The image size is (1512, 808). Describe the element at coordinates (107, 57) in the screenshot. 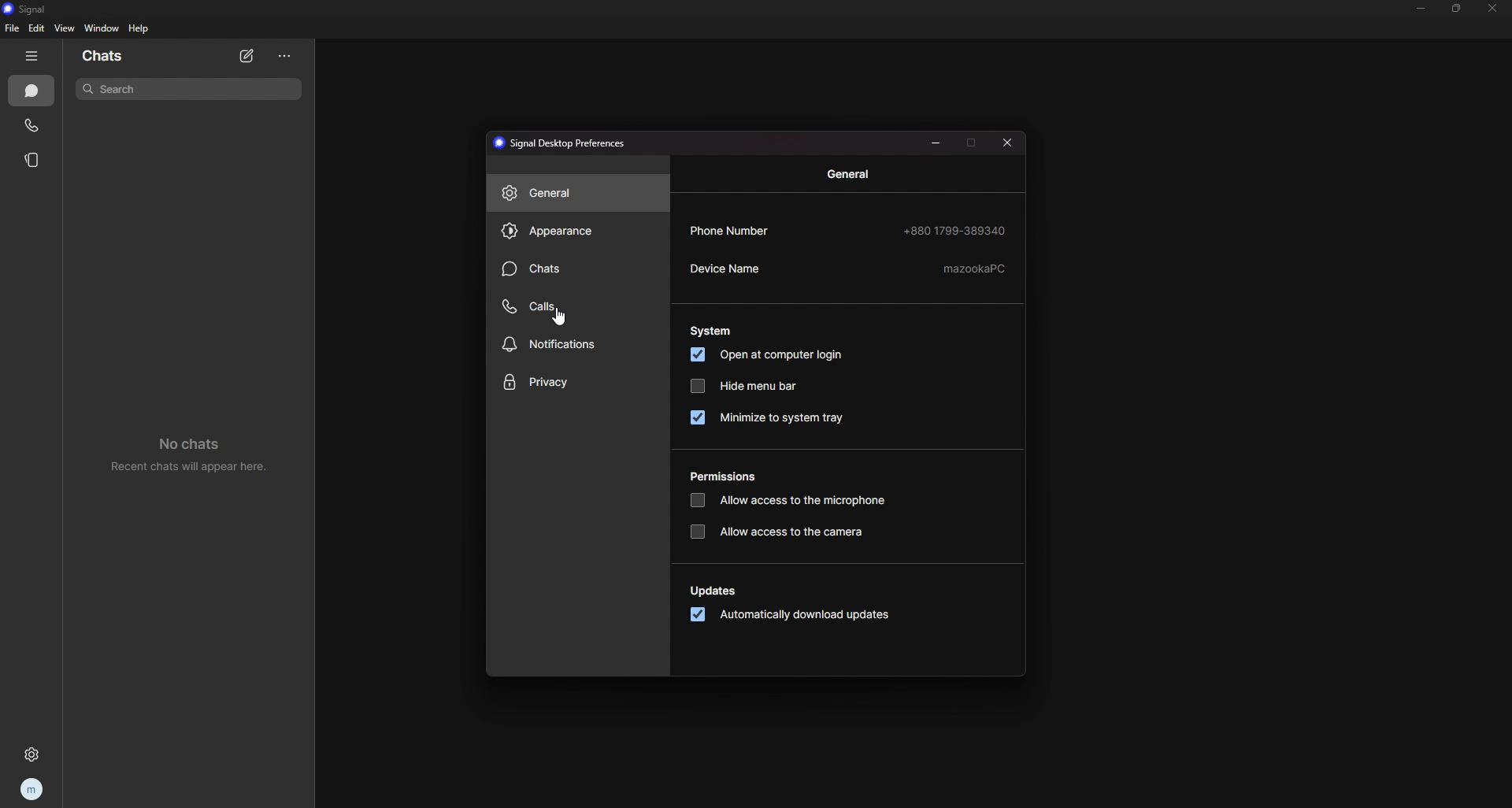

I see `chats` at that location.